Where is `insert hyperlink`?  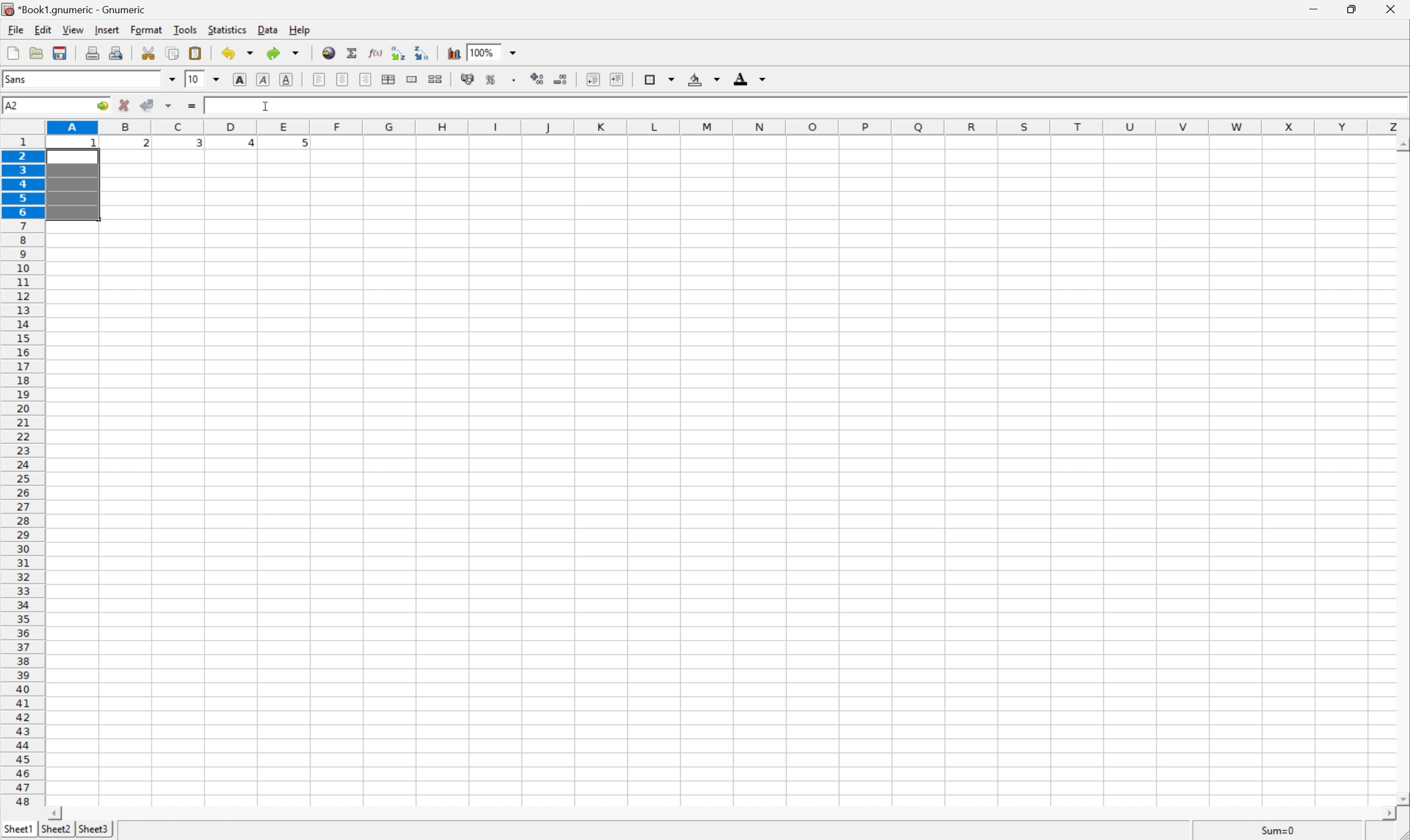 insert hyperlink is located at coordinates (329, 52).